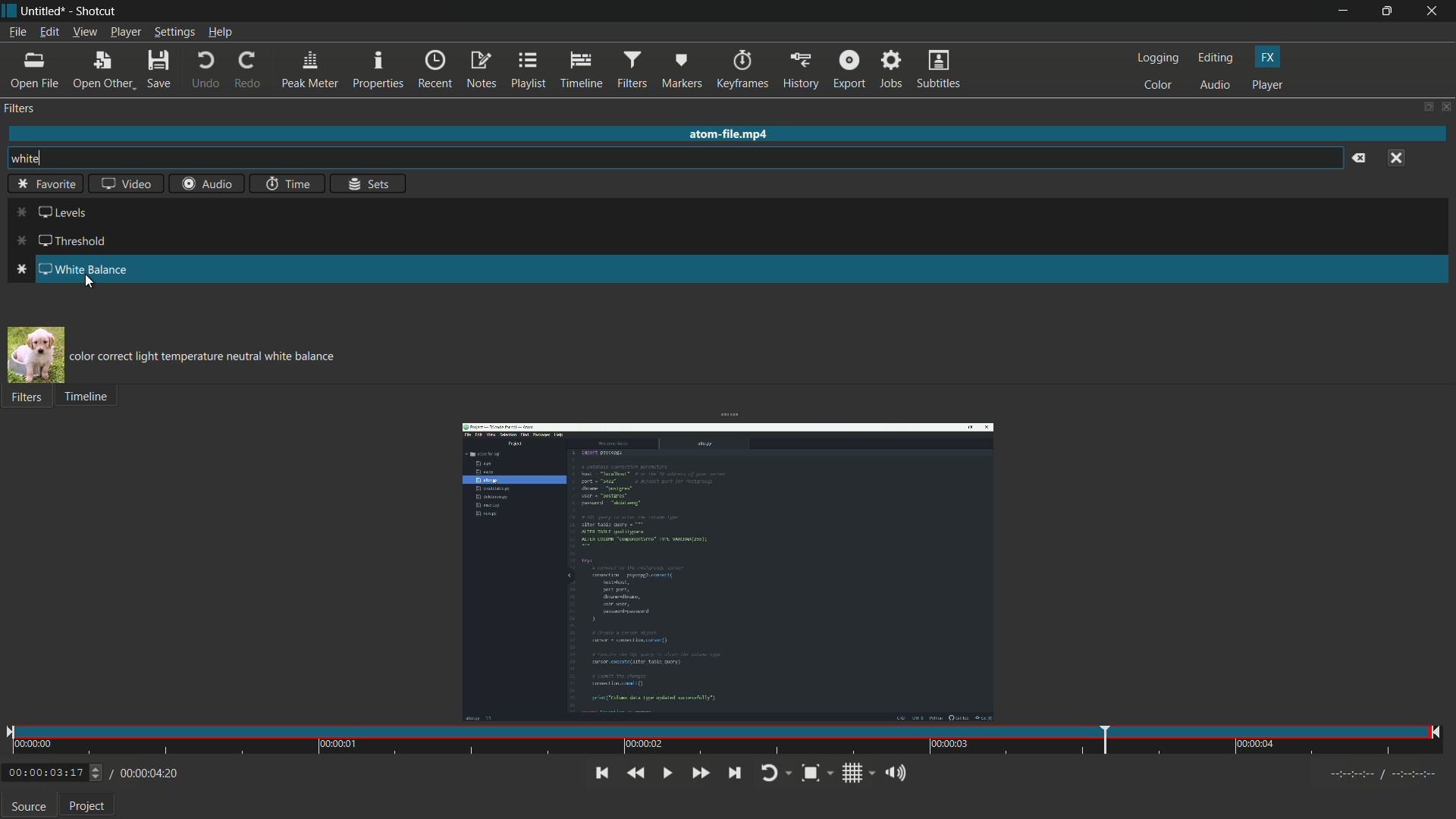 This screenshot has height=819, width=1456. What do you see at coordinates (939, 68) in the screenshot?
I see `subtitles` at bounding box center [939, 68].